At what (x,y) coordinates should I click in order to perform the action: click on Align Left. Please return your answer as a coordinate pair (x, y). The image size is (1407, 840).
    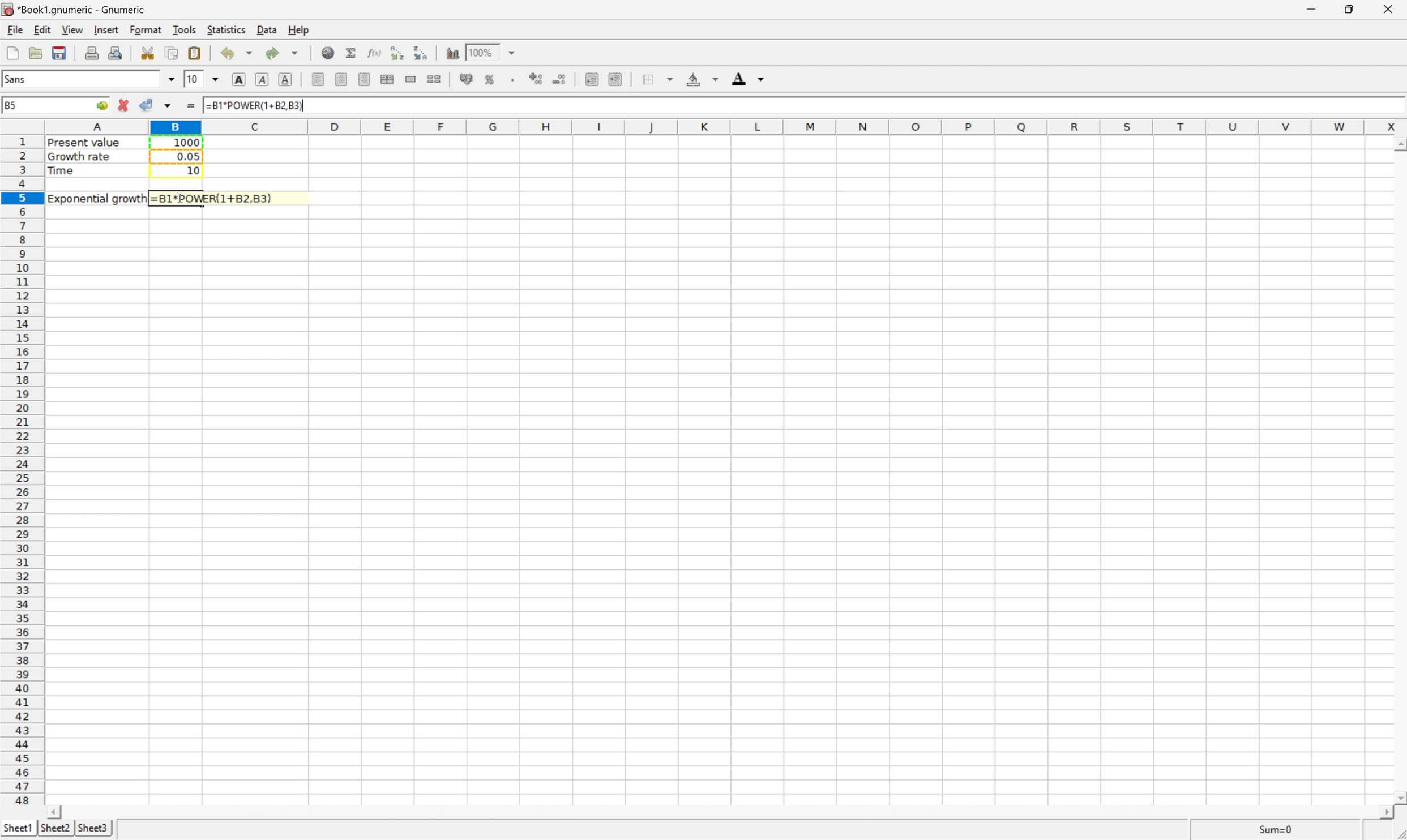
    Looking at the image, I should click on (318, 78).